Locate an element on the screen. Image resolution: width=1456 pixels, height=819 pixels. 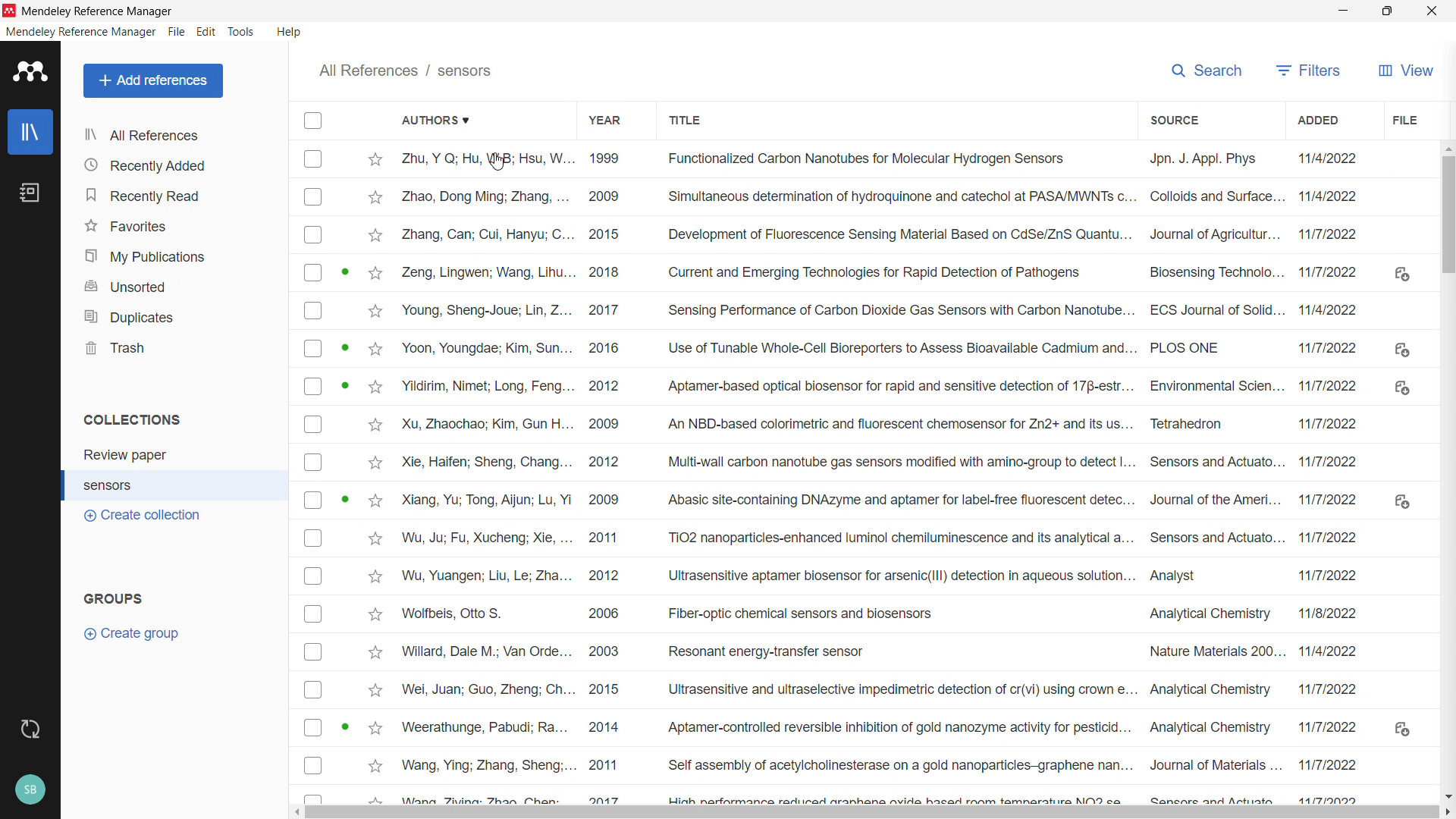
Scroll up  is located at coordinates (1447, 147).